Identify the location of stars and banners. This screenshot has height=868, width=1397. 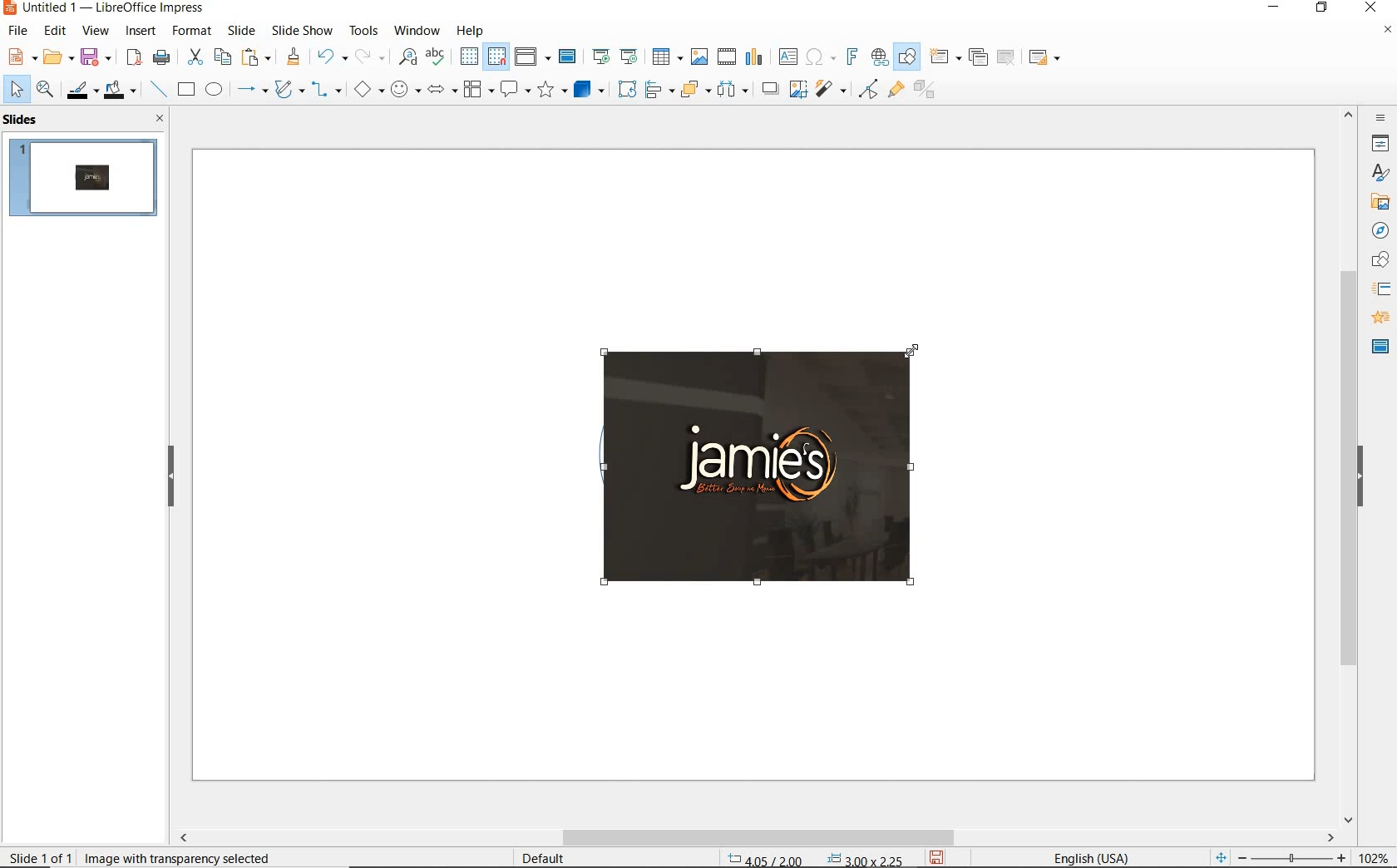
(551, 91).